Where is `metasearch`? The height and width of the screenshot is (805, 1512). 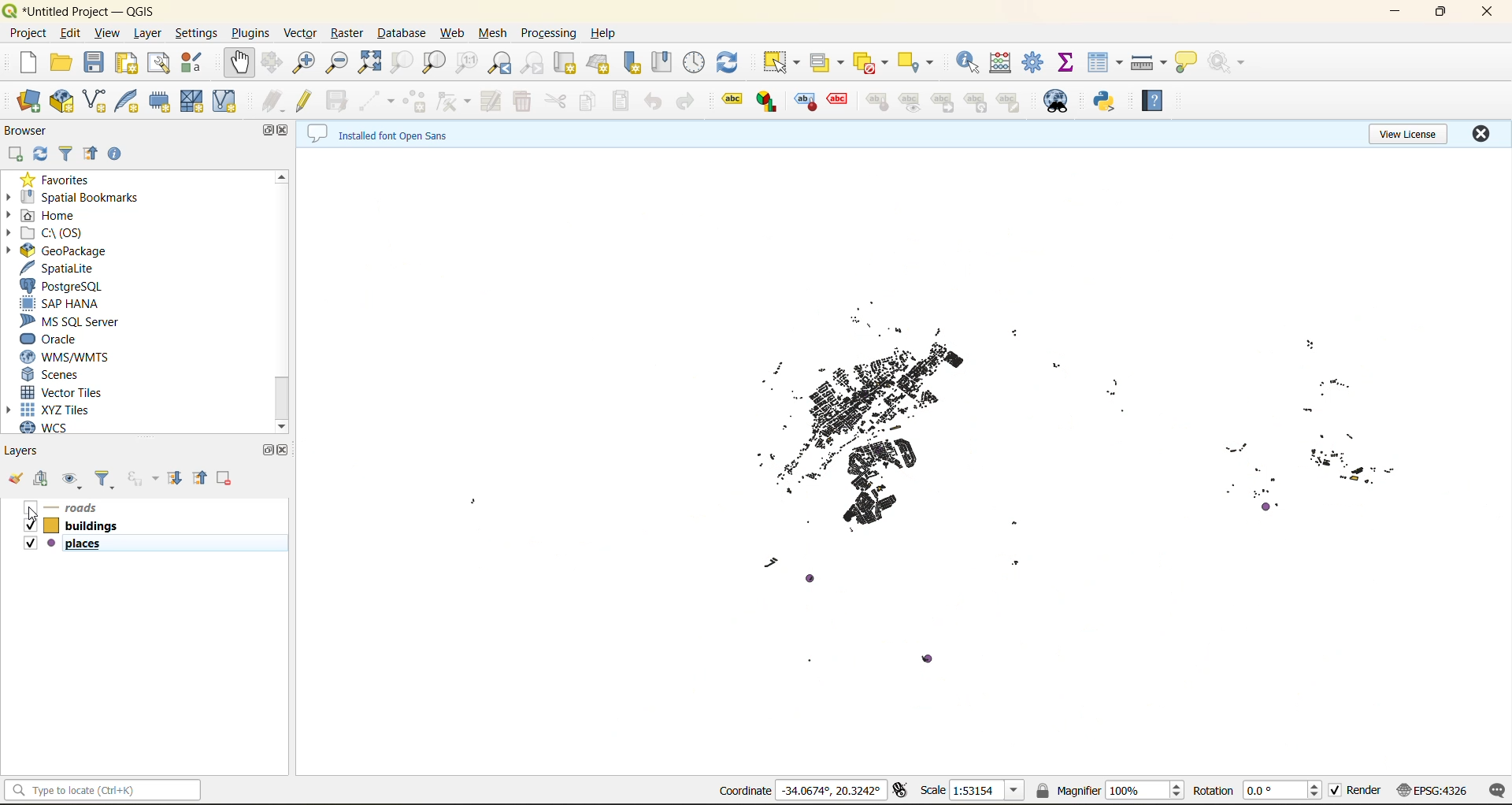 metasearch is located at coordinates (1058, 102).